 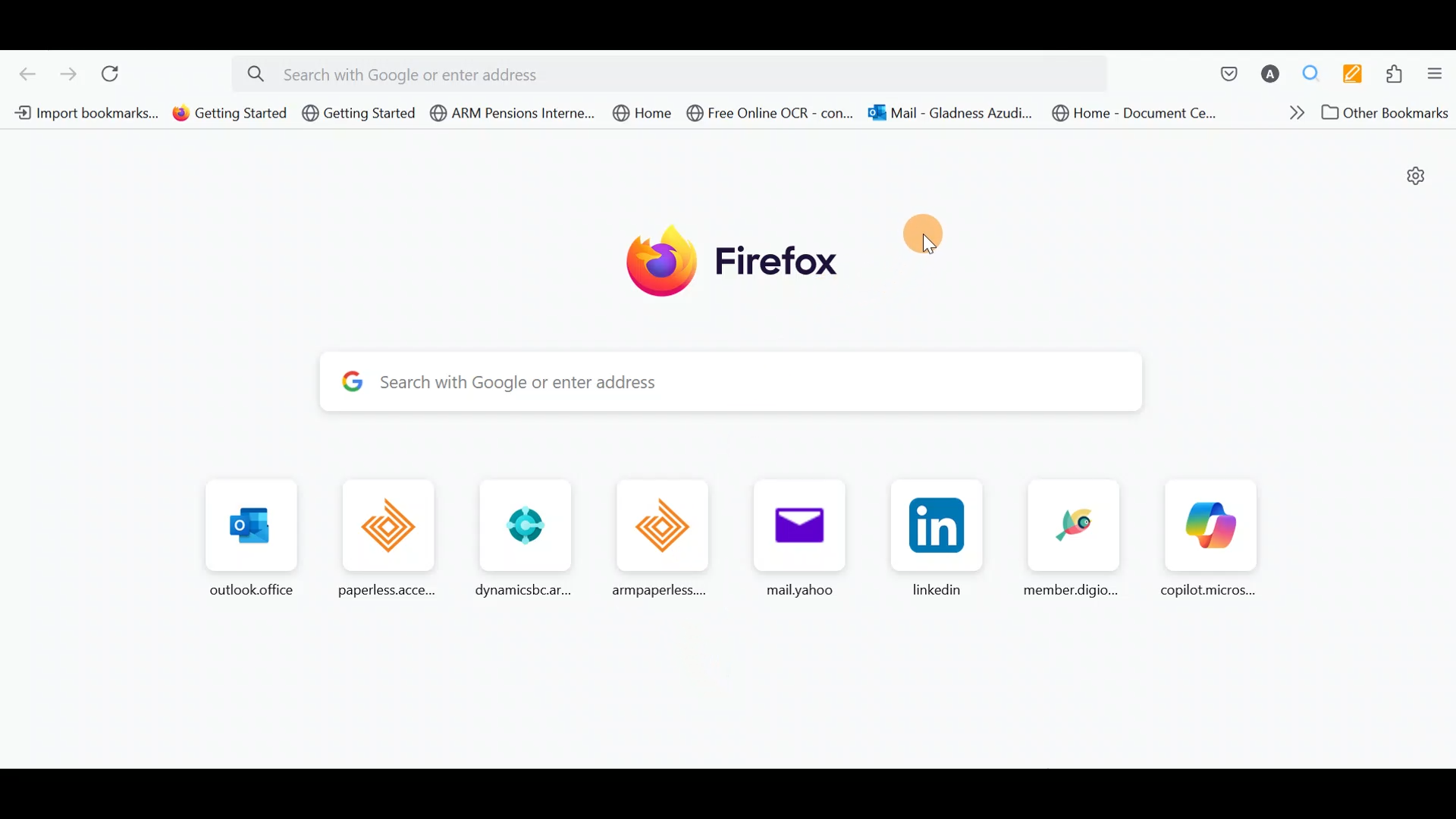 What do you see at coordinates (121, 76) in the screenshot?
I see `Reload current page` at bounding box center [121, 76].